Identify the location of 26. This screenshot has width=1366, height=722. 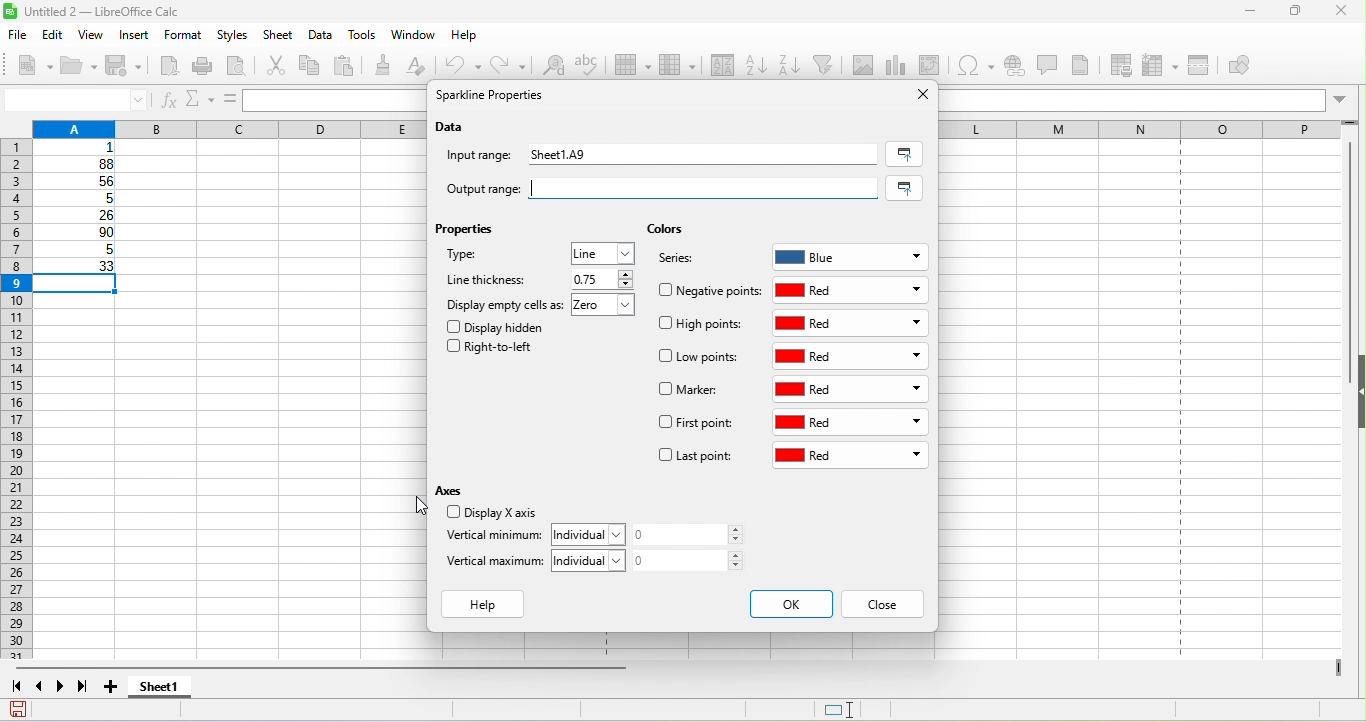
(79, 216).